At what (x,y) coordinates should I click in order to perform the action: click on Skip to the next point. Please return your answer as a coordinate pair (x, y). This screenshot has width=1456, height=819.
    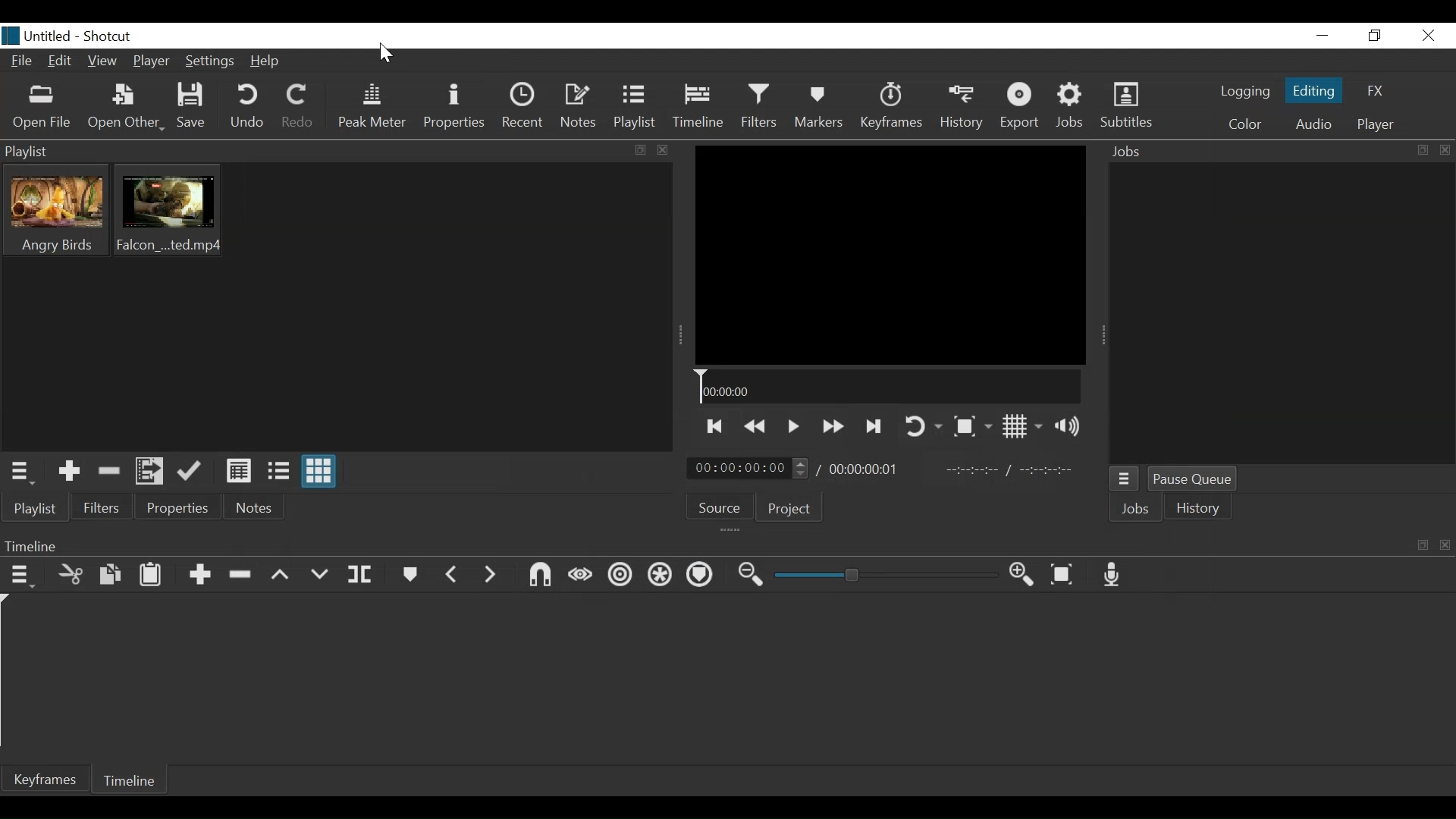
    Looking at the image, I should click on (874, 426).